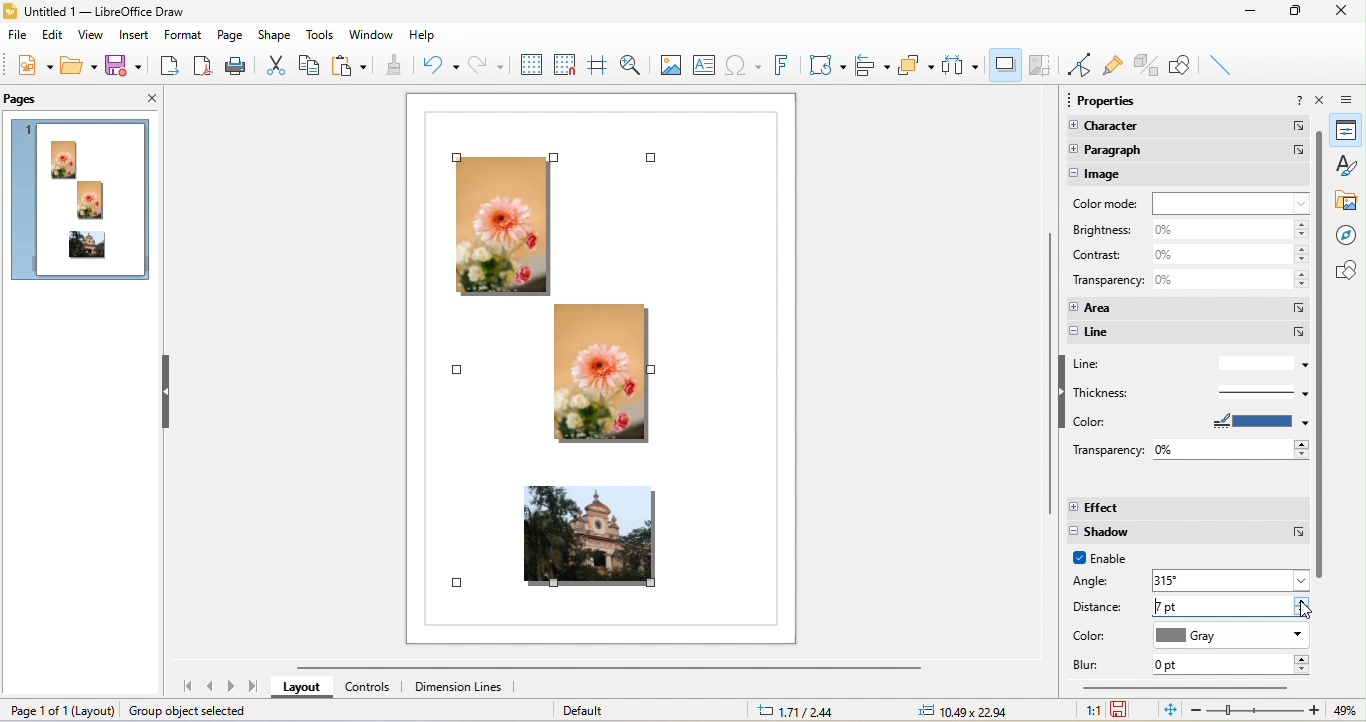 Image resolution: width=1366 pixels, height=722 pixels. Describe the element at coordinates (704, 64) in the screenshot. I see `text box` at that location.